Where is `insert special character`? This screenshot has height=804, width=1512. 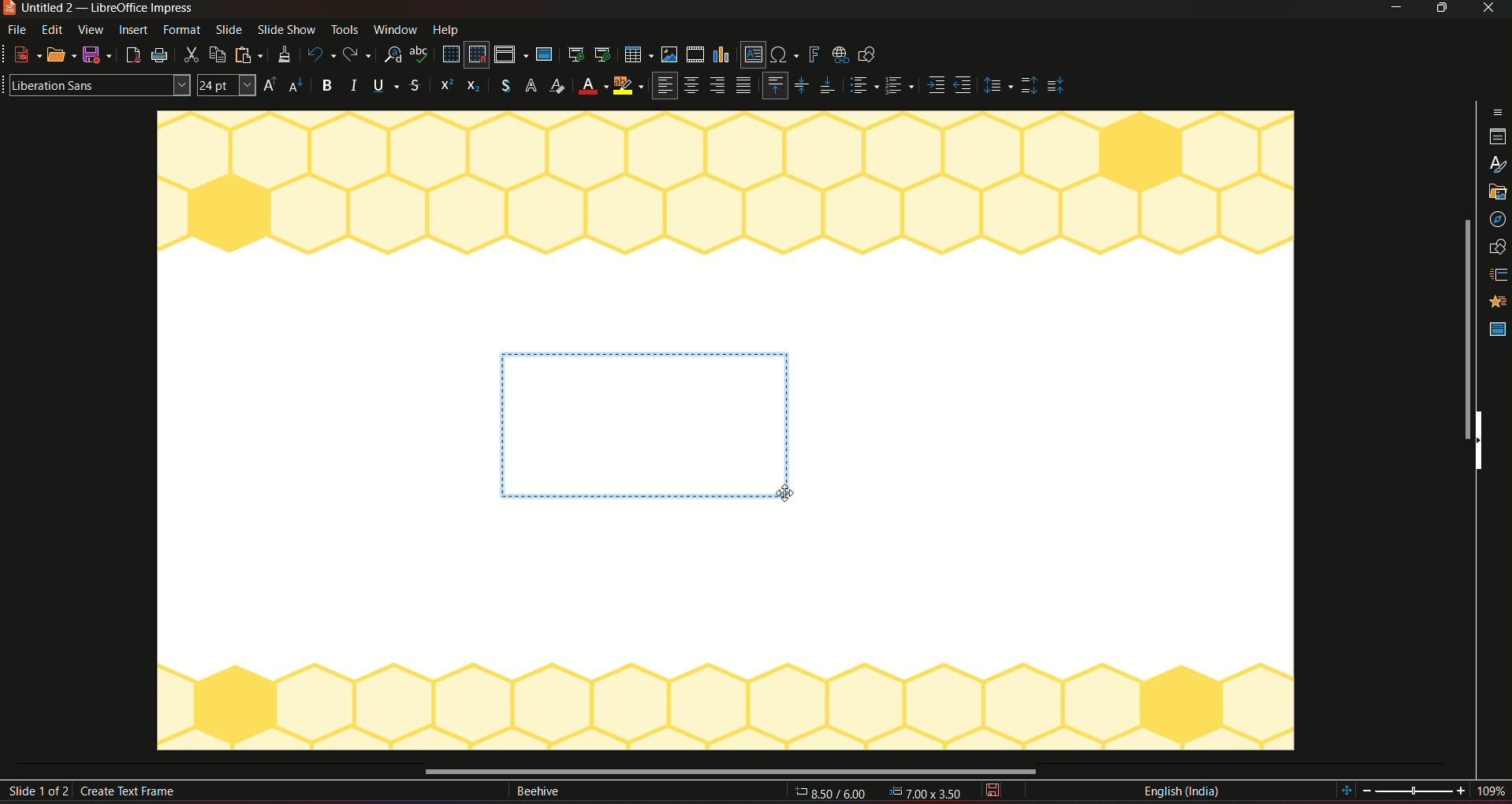
insert special character is located at coordinates (784, 53).